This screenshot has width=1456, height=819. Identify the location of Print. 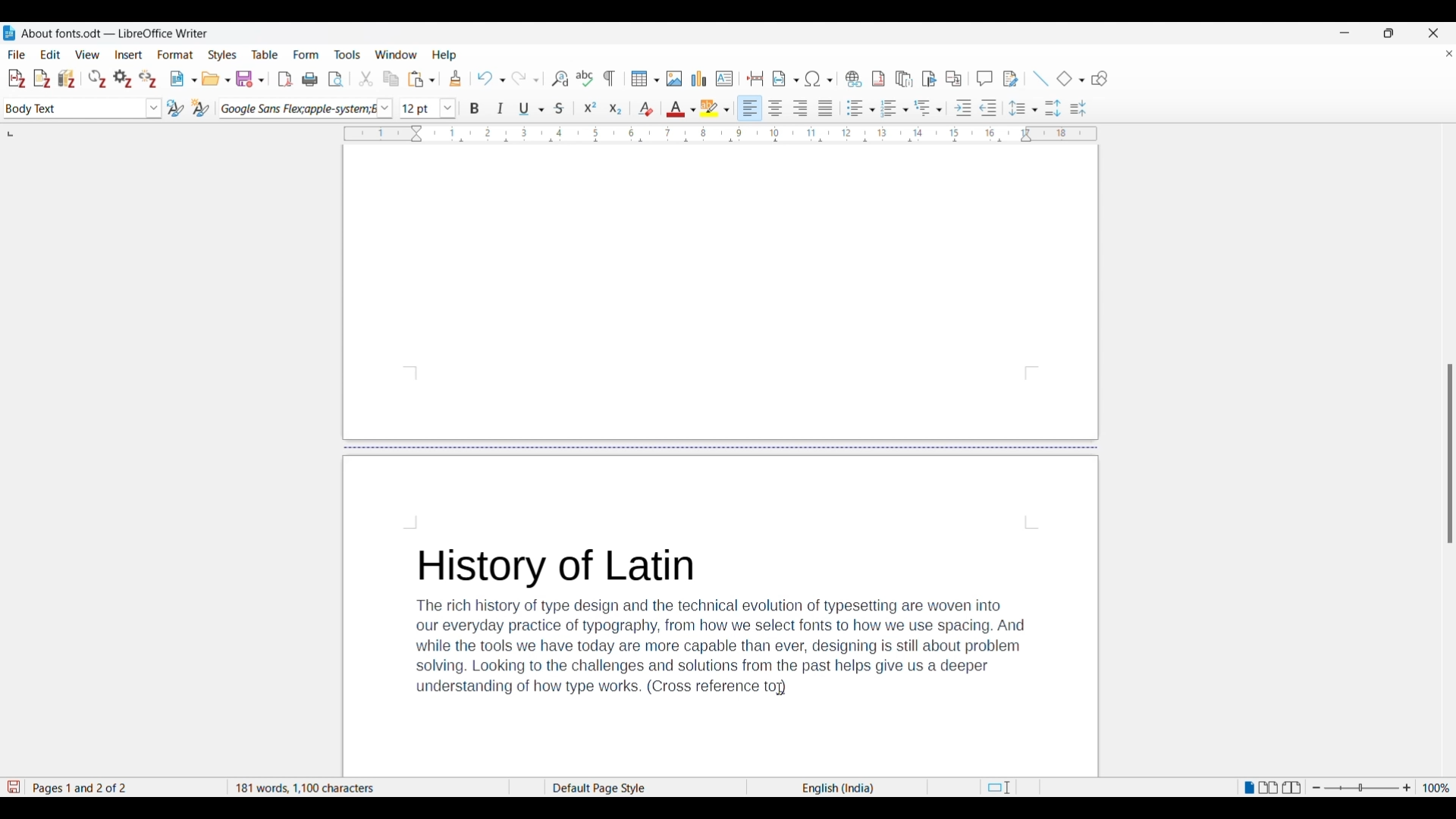
(309, 80).